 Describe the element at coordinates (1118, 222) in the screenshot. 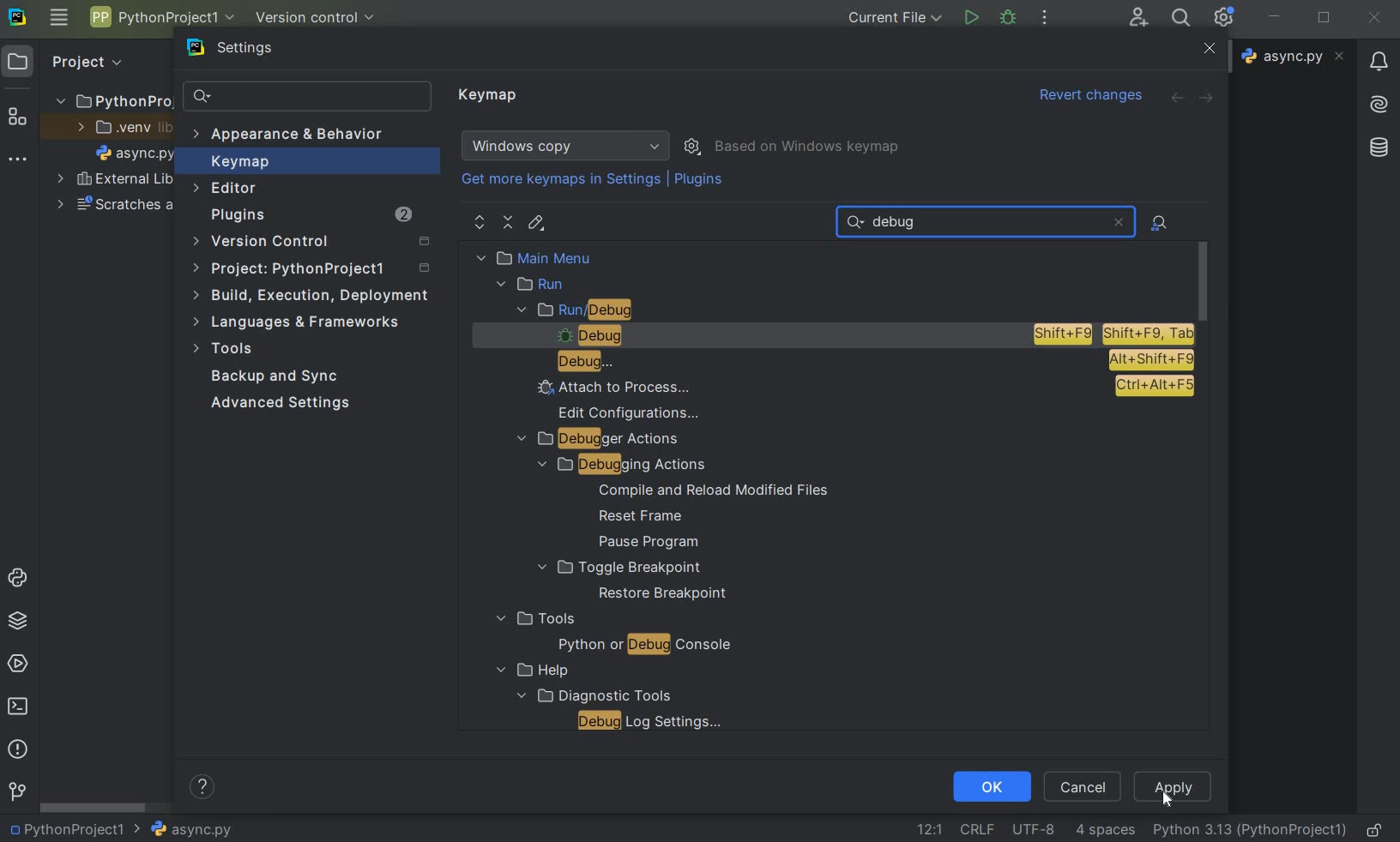

I see `close` at that location.